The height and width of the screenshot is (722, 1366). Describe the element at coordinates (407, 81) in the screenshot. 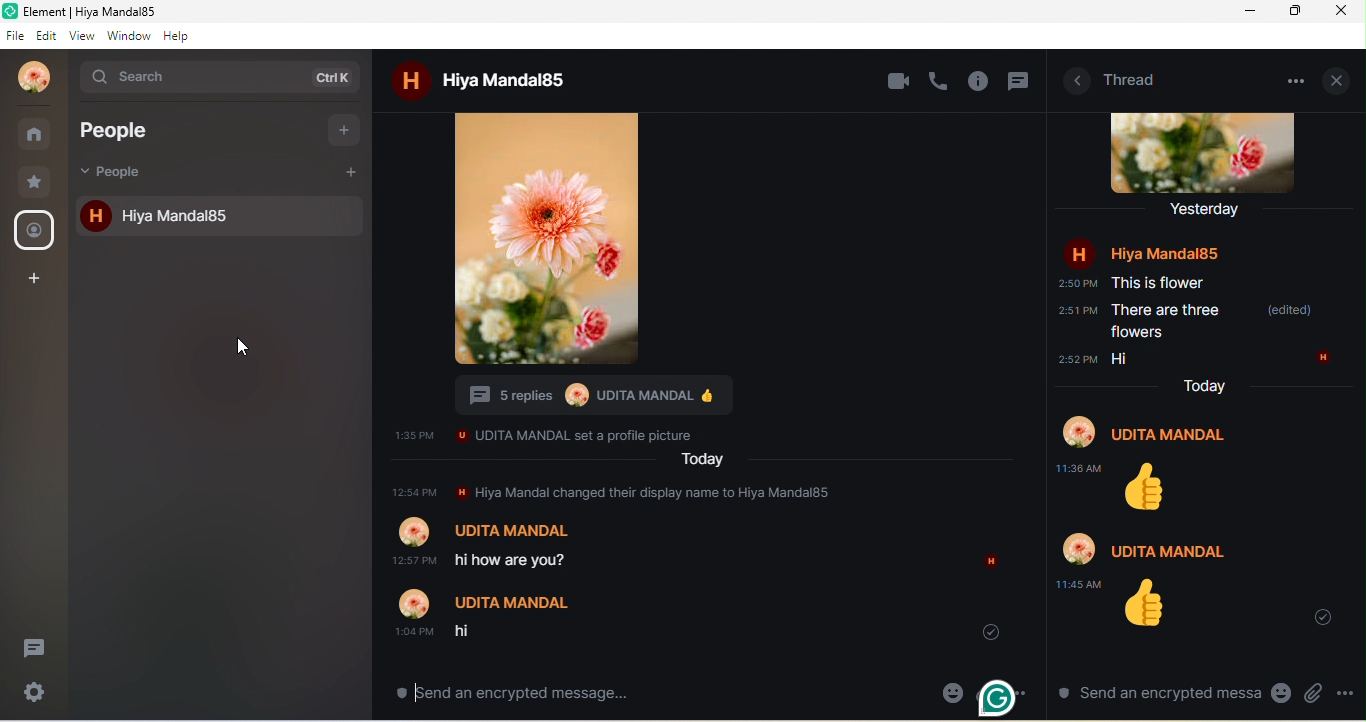

I see `h` at that location.